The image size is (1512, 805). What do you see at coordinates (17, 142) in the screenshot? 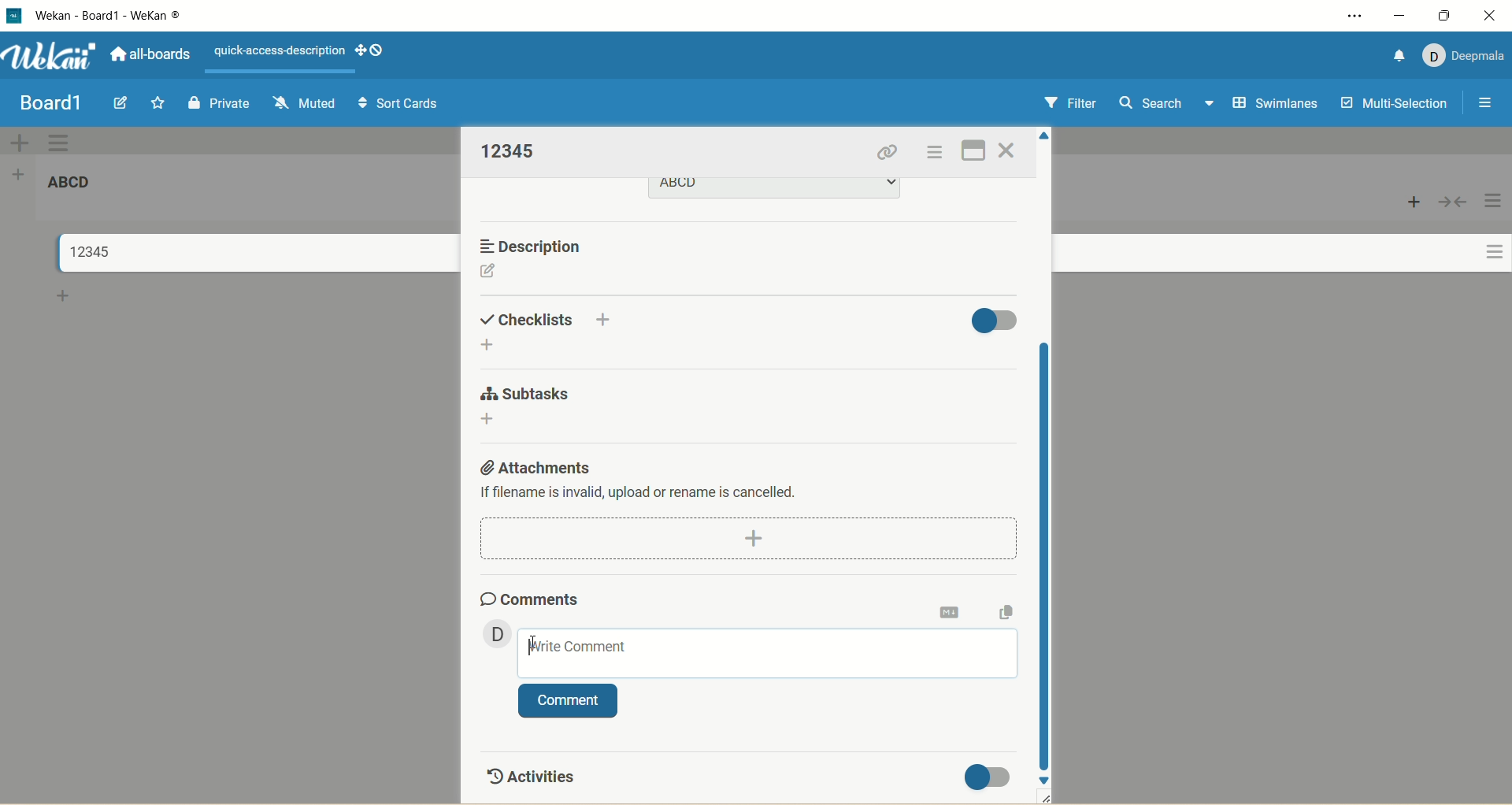
I see `add swimlane` at bounding box center [17, 142].